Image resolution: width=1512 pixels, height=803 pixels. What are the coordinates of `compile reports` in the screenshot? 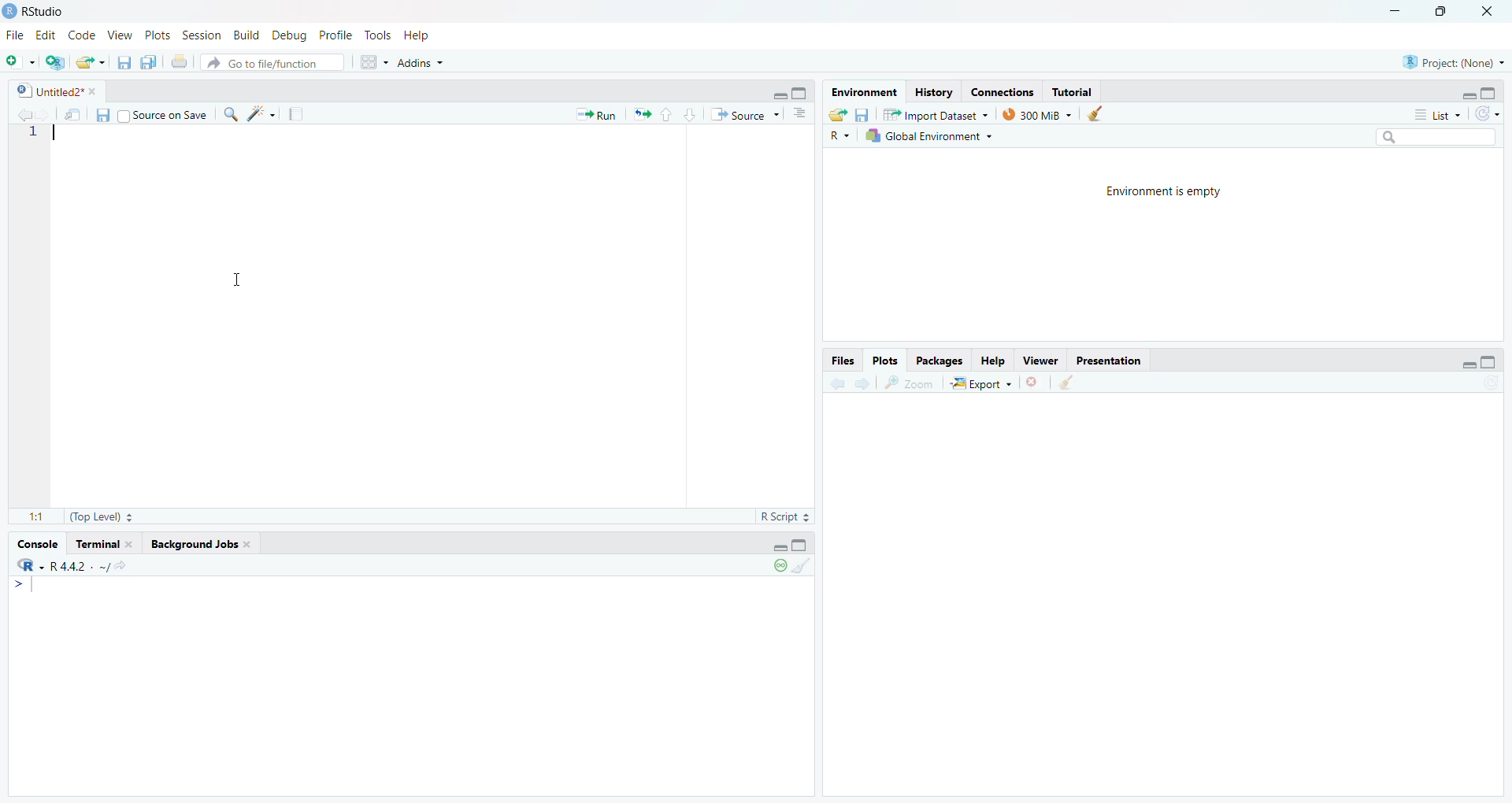 It's located at (296, 115).